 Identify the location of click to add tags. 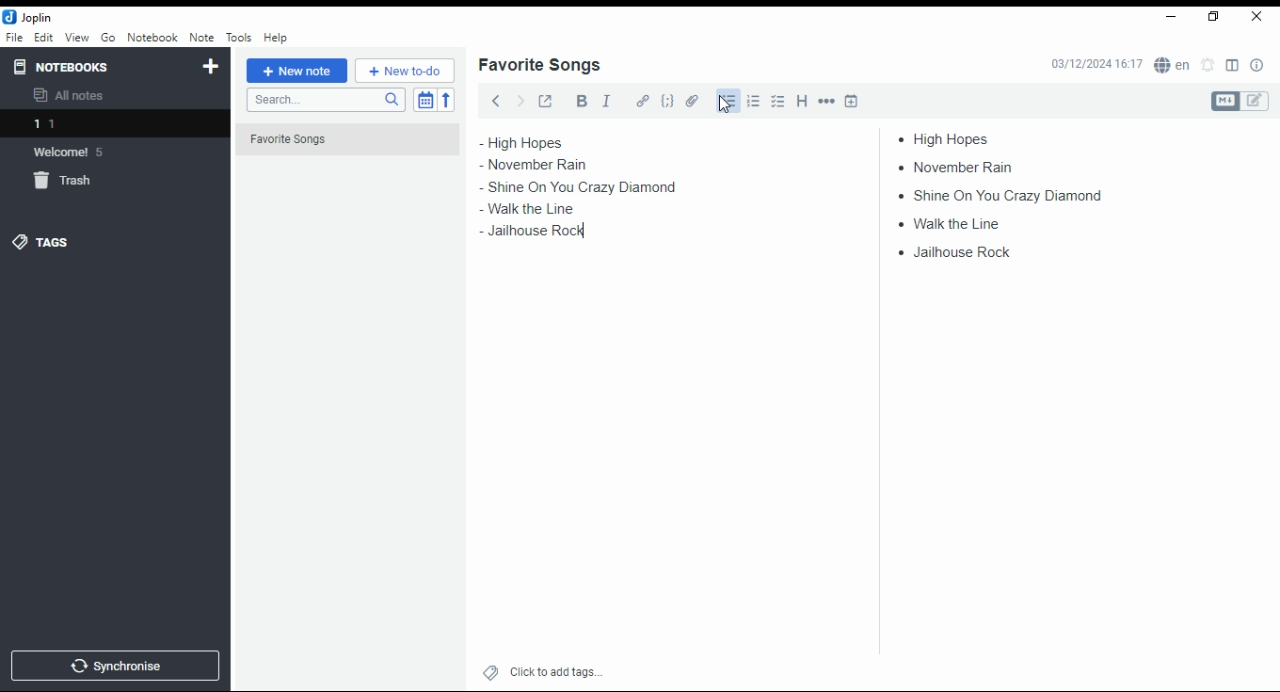
(556, 669).